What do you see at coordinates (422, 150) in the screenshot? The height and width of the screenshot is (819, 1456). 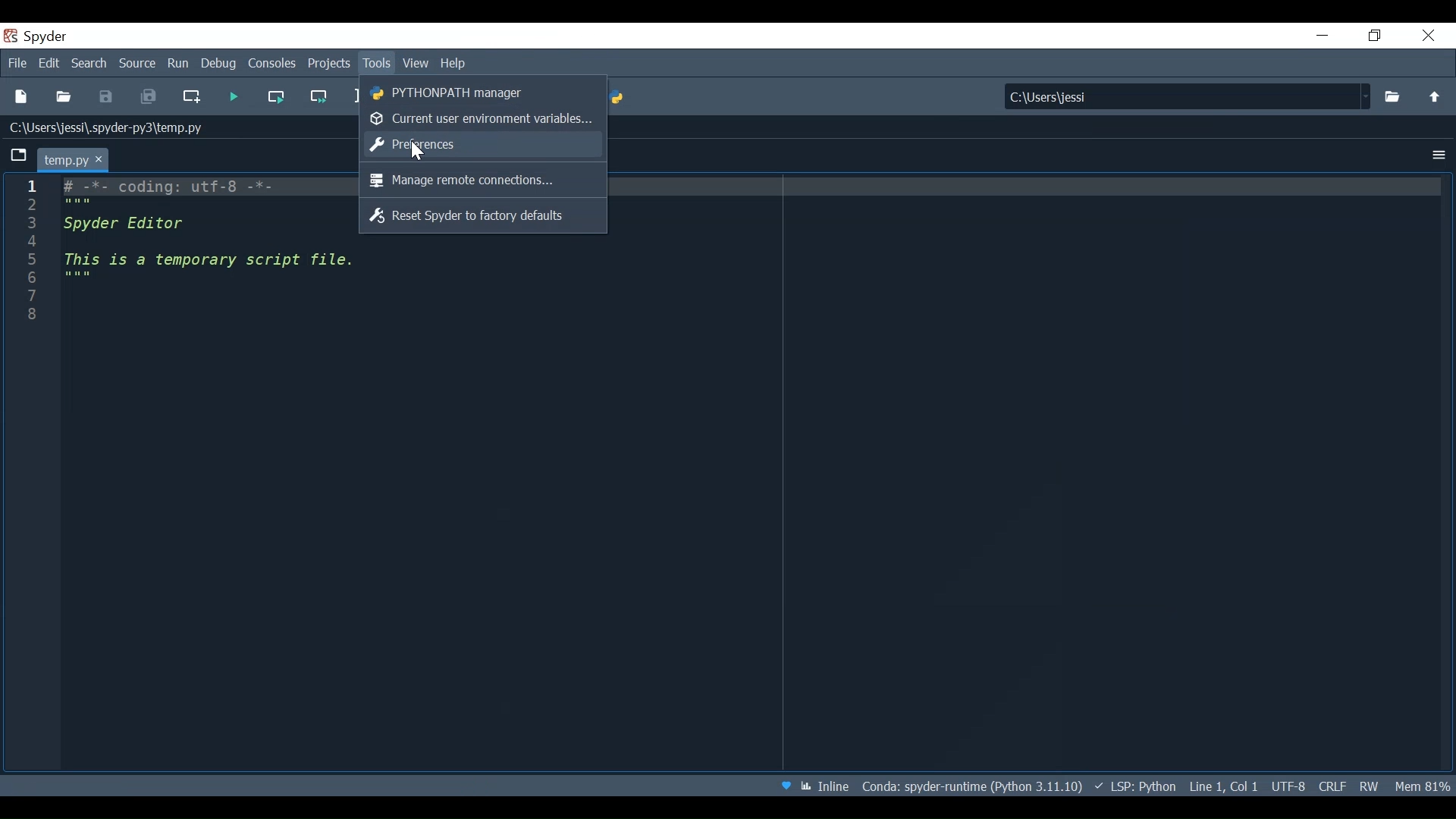 I see `Cursor` at bounding box center [422, 150].